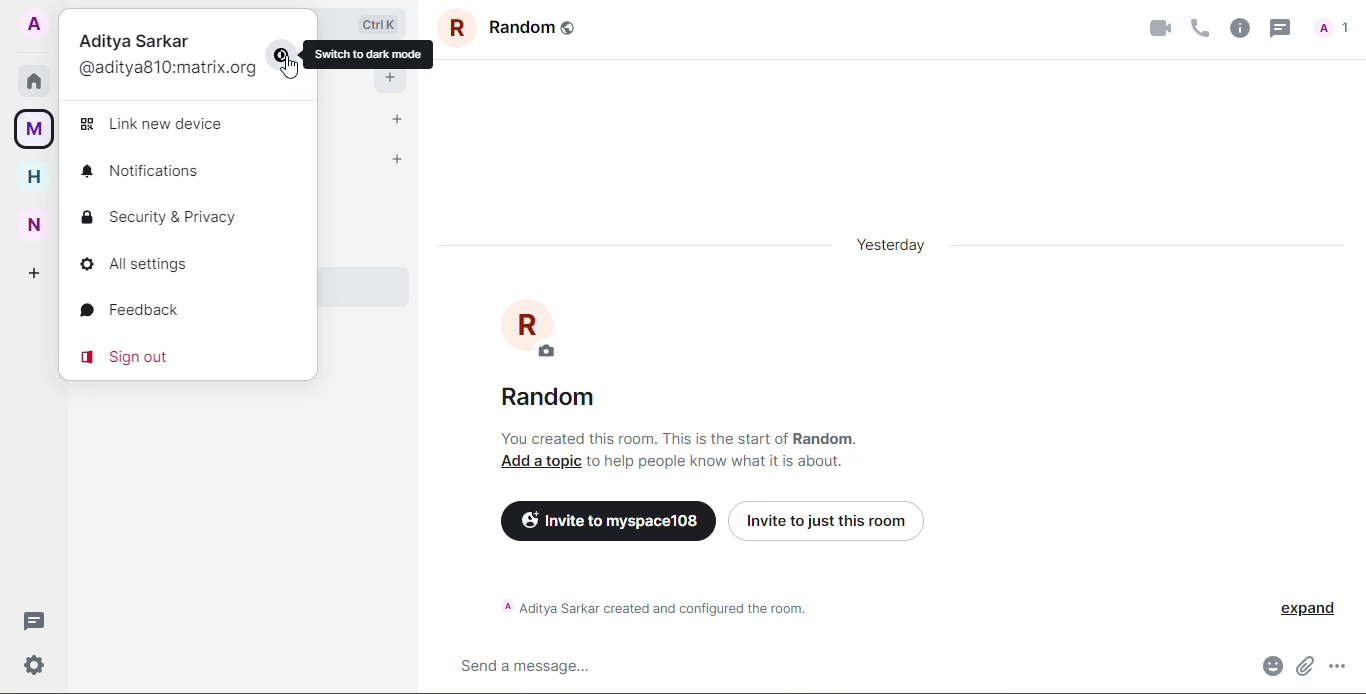  Describe the element at coordinates (607, 520) in the screenshot. I see `invite to myspace` at that location.